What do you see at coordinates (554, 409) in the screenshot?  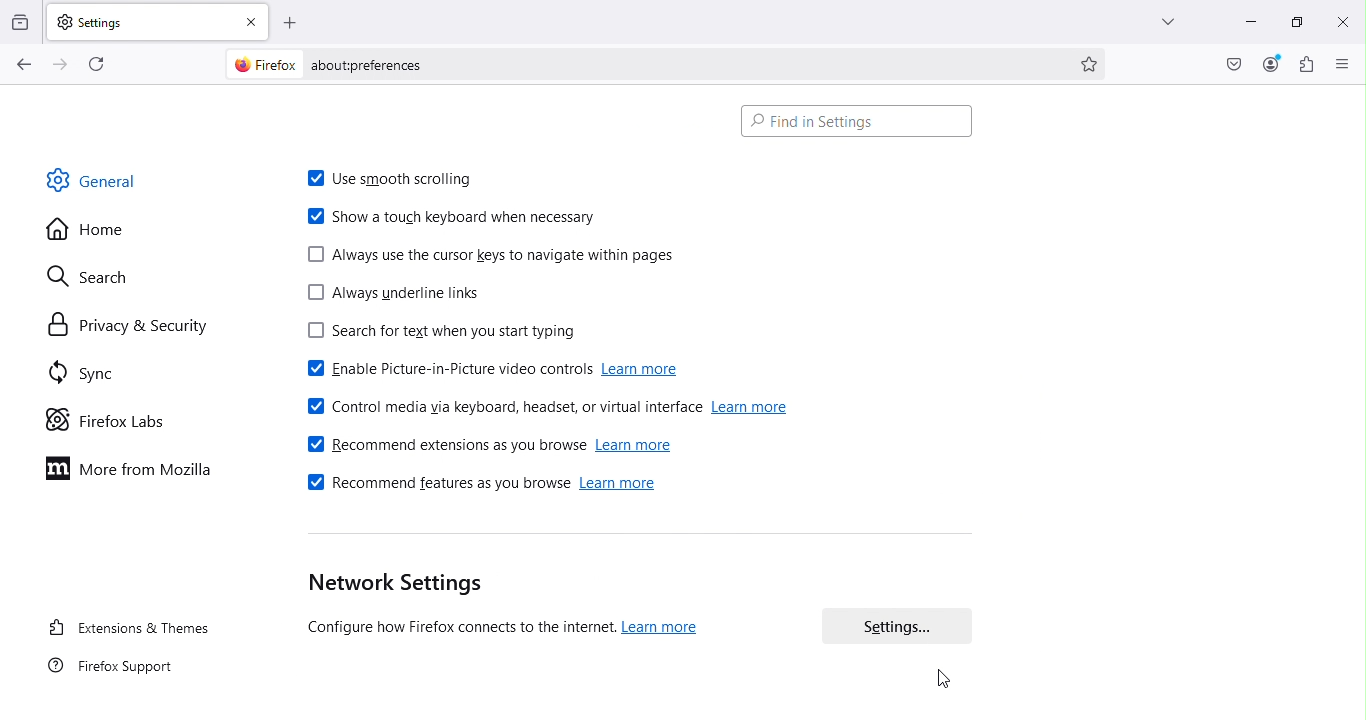 I see `Control media via keyboard, headset, or virtual interface` at bounding box center [554, 409].